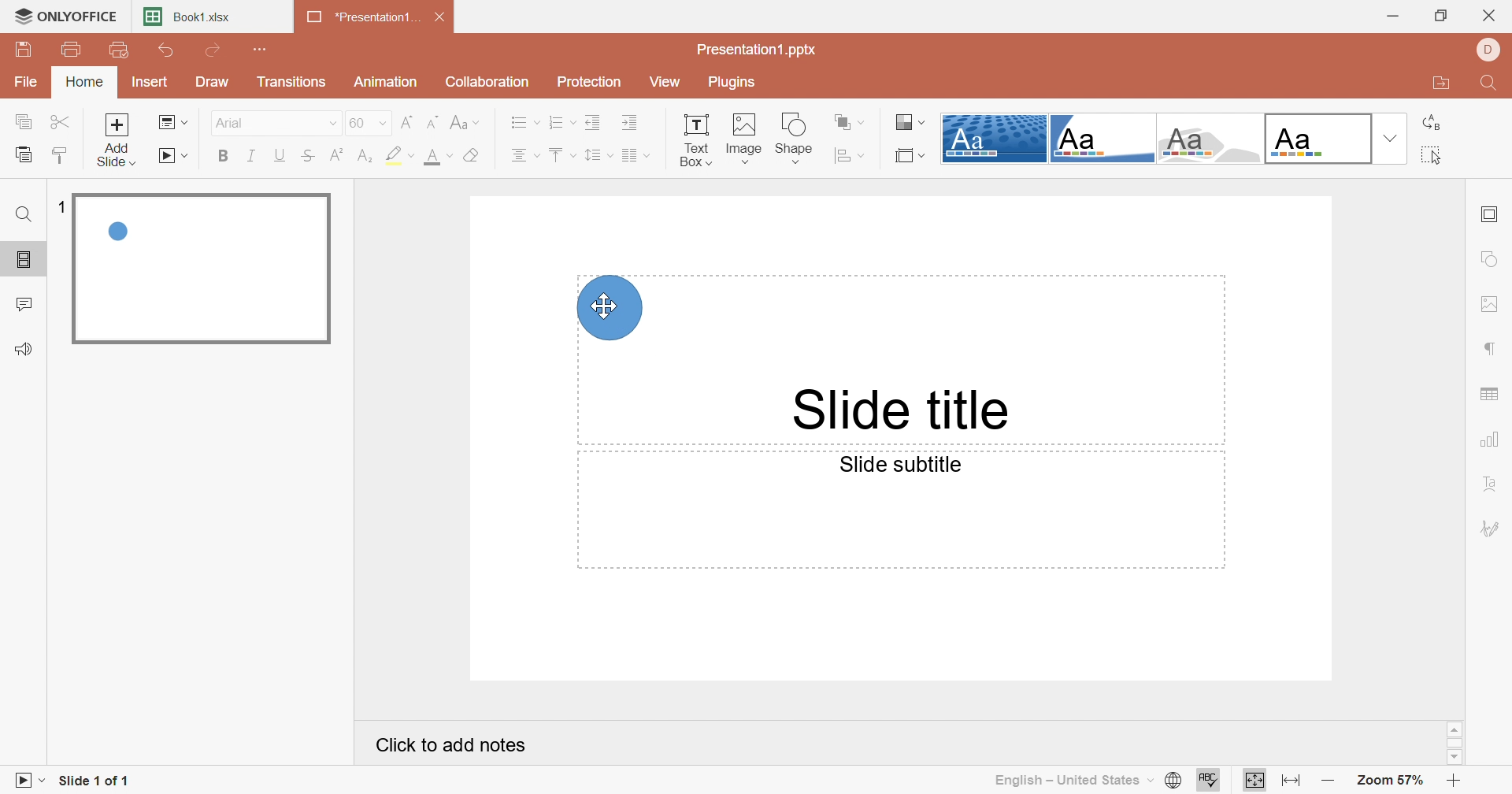 The image size is (1512, 794). Describe the element at coordinates (340, 155) in the screenshot. I see `Superscript` at that location.